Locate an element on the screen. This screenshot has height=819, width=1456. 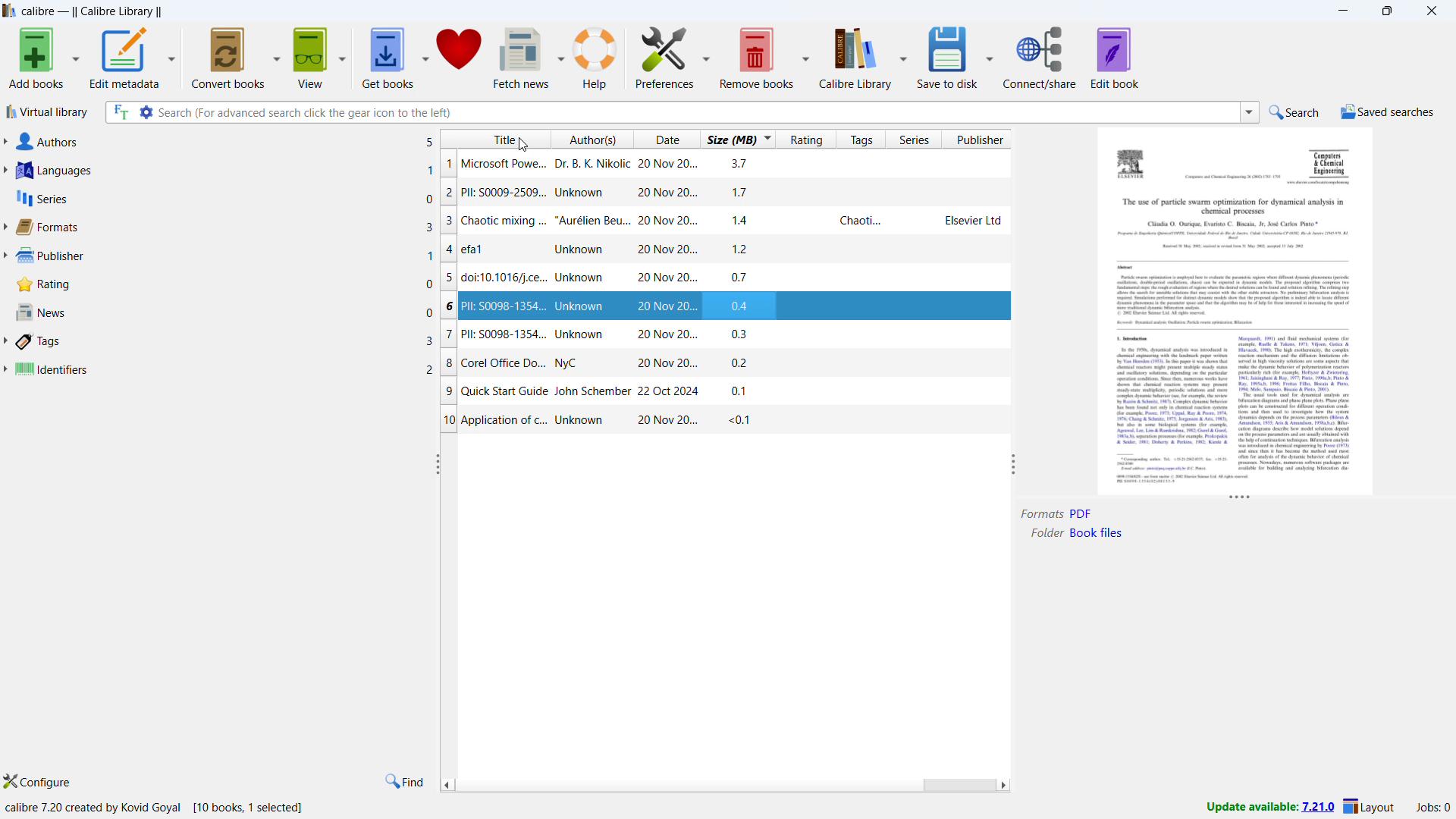
expand identifiers is located at coordinates (5, 370).